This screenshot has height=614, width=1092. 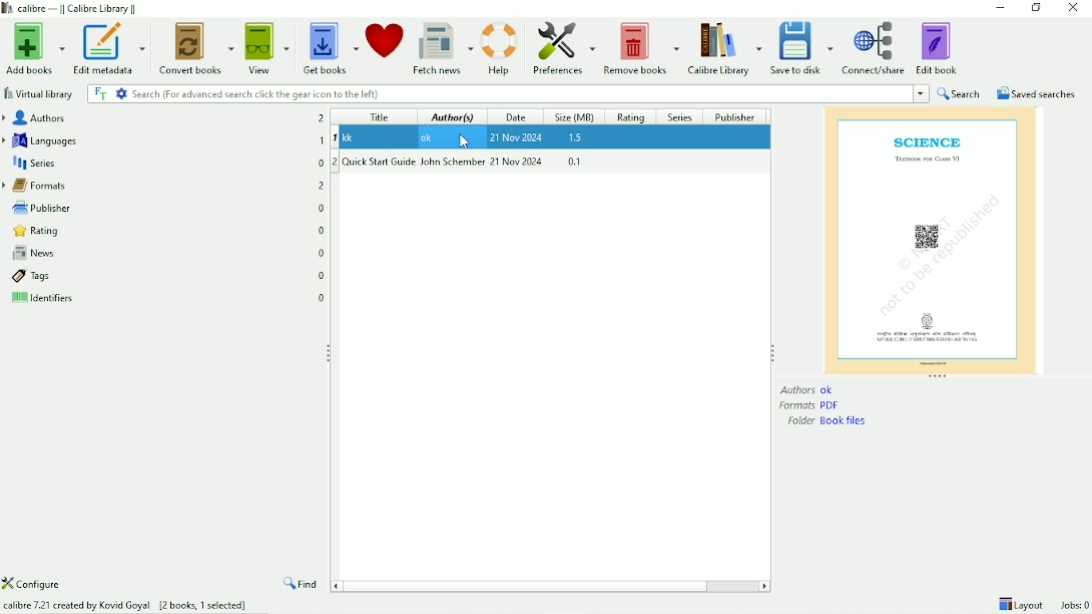 I want to click on Close, so click(x=1073, y=8).